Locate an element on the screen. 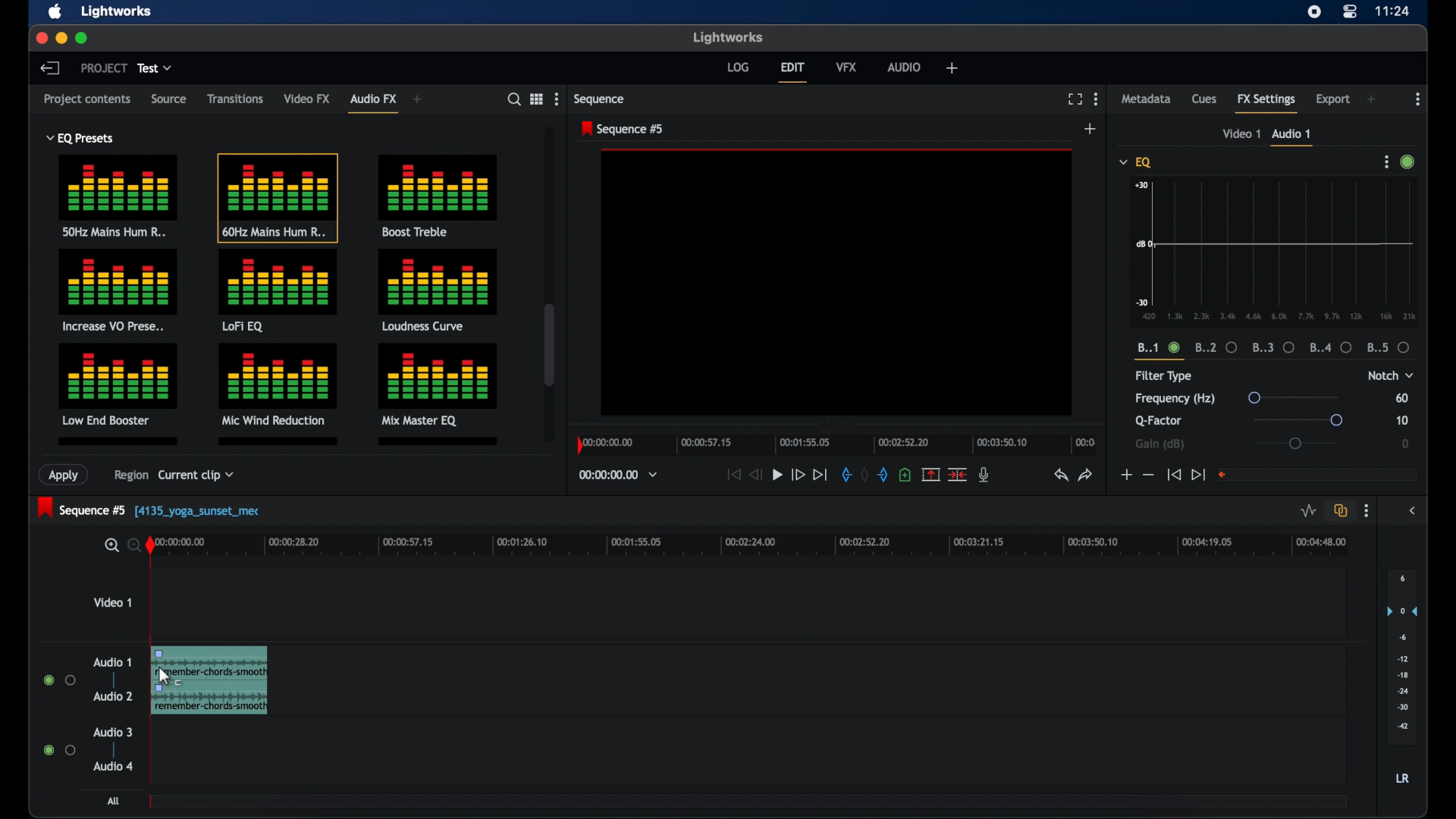 This screenshot has height=819, width=1456. source is located at coordinates (168, 98).